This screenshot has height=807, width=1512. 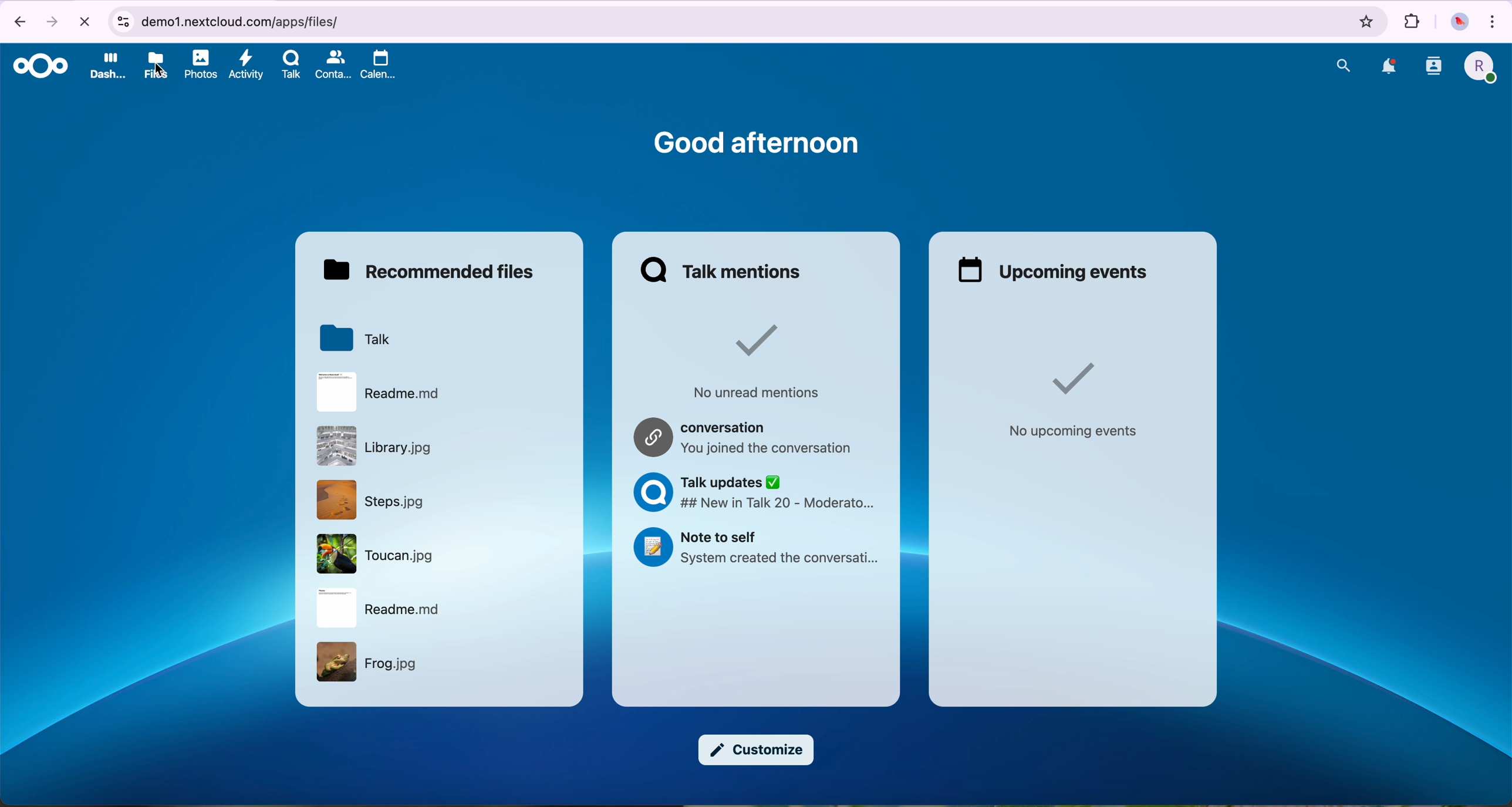 What do you see at coordinates (1386, 66) in the screenshot?
I see `notifications` at bounding box center [1386, 66].